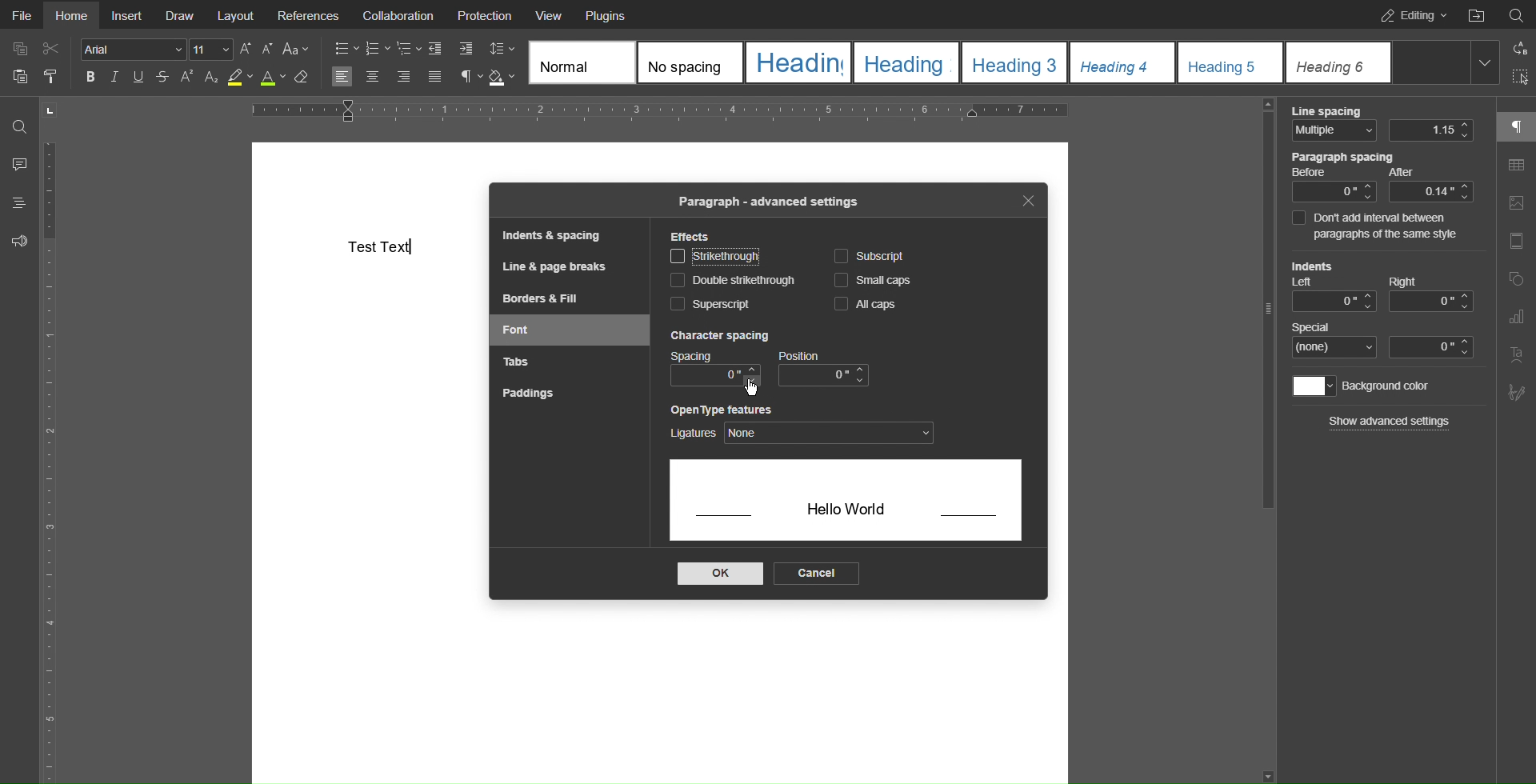 The image size is (1536, 784). What do you see at coordinates (711, 304) in the screenshot?
I see `Superscript` at bounding box center [711, 304].